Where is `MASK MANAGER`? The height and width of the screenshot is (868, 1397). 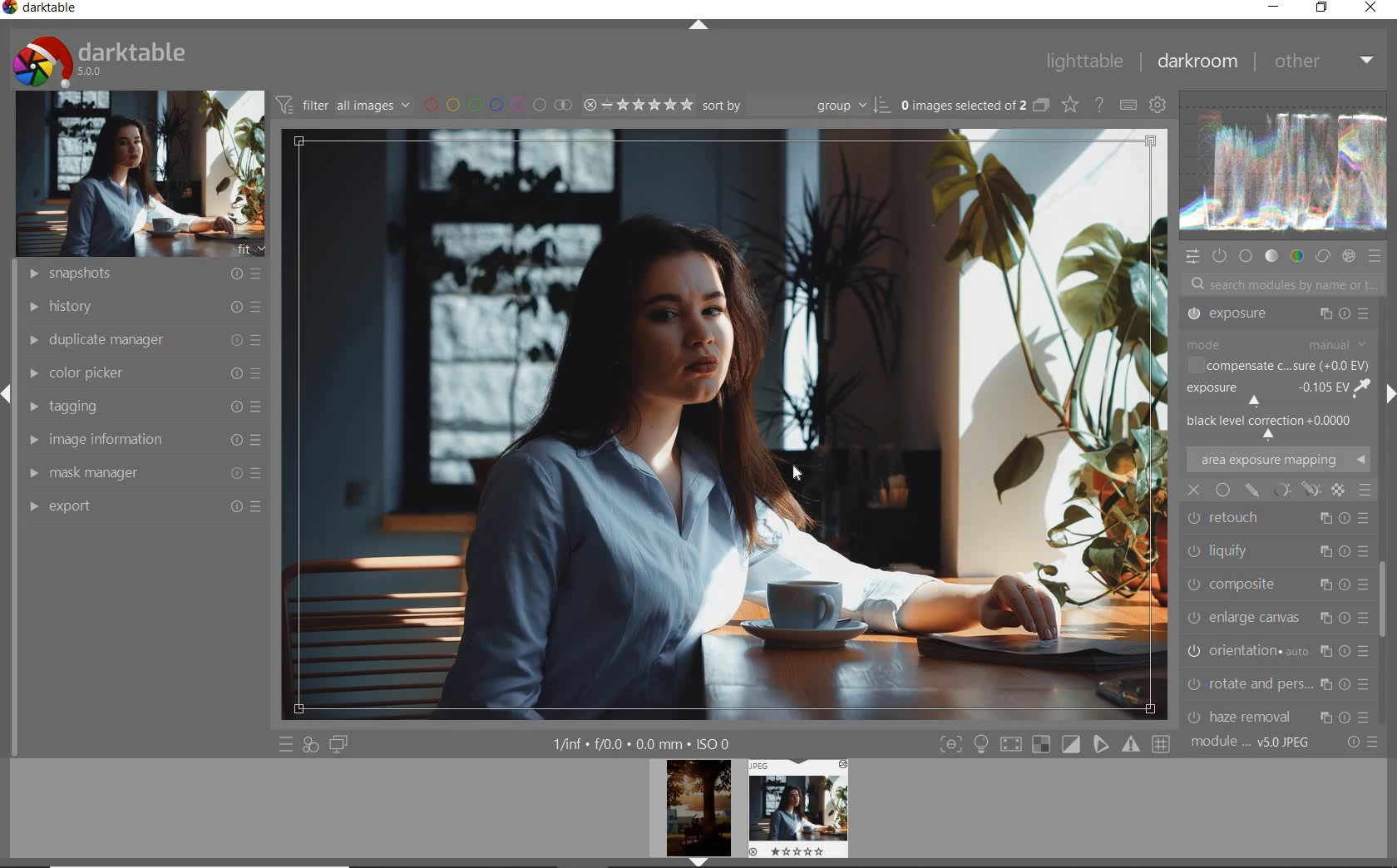
MASK MANAGER is located at coordinates (141, 472).